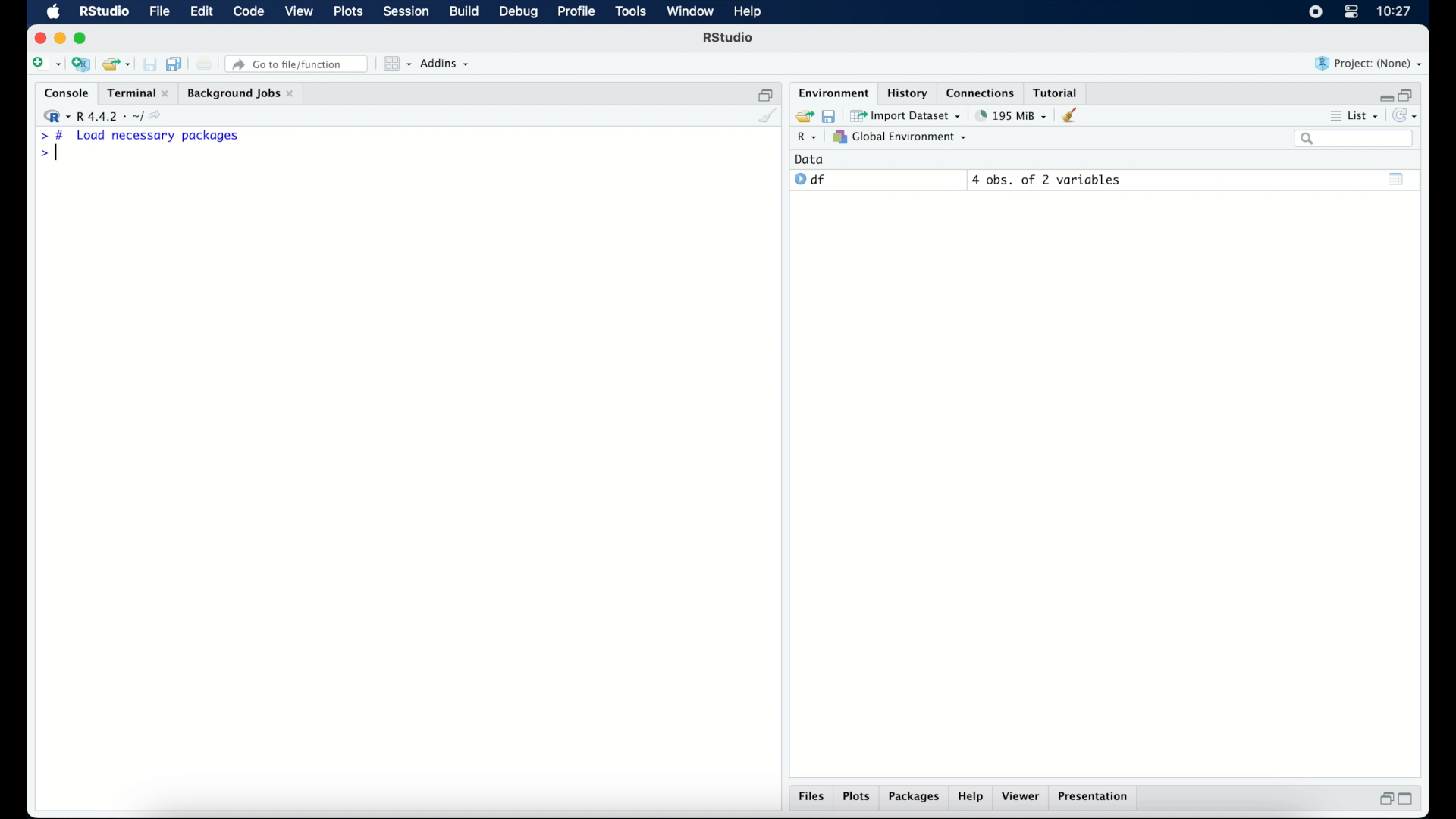  What do you see at coordinates (810, 180) in the screenshot?
I see `df` at bounding box center [810, 180].